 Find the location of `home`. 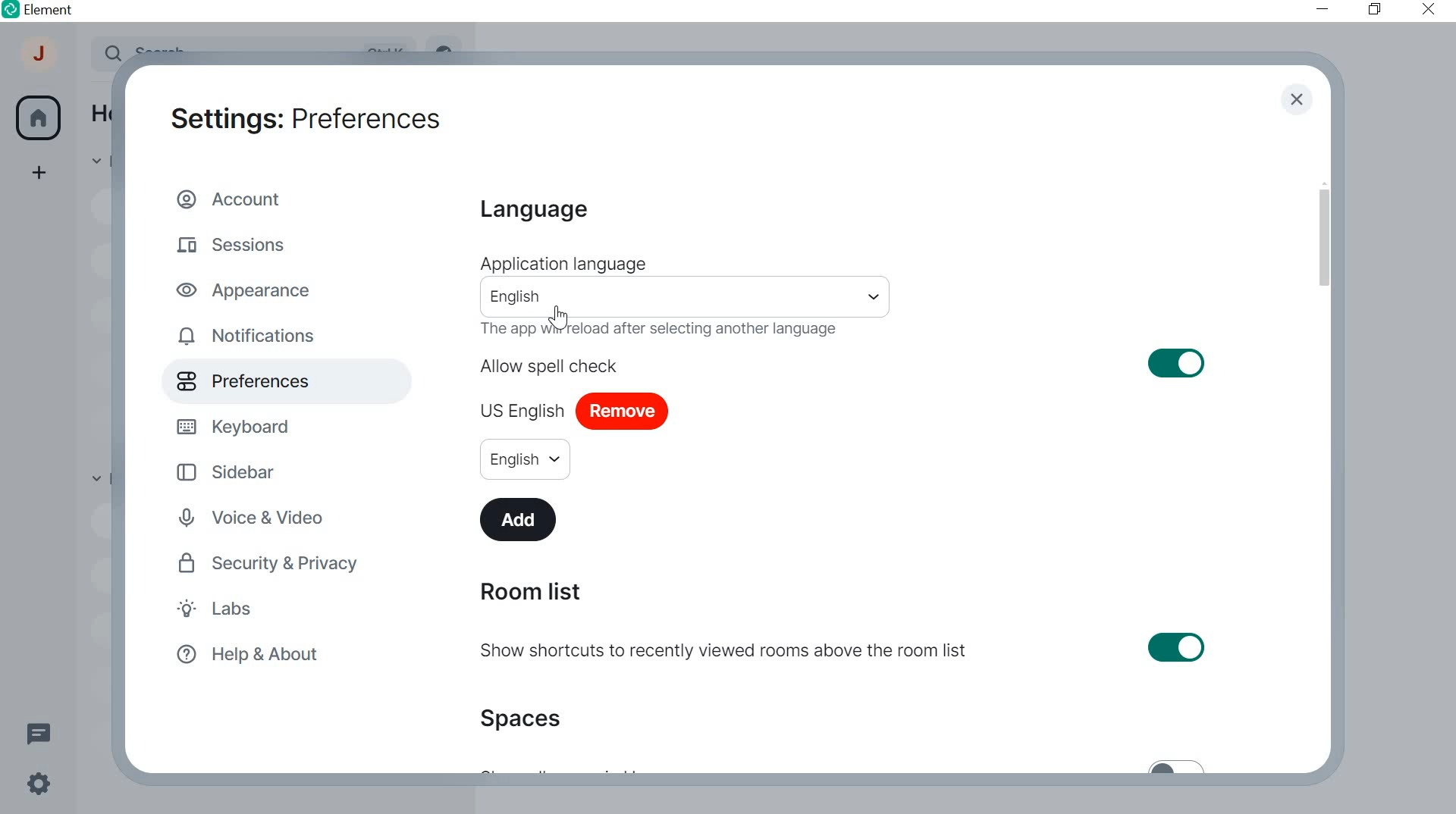

home is located at coordinates (38, 118).